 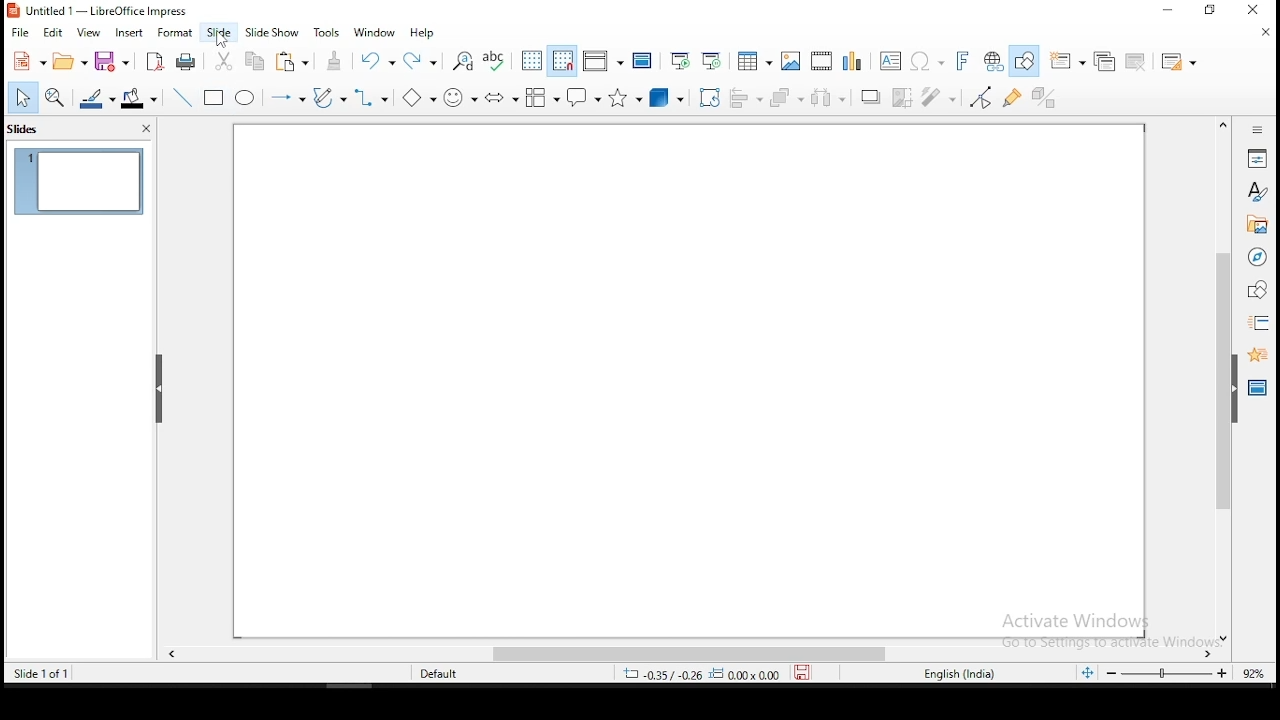 What do you see at coordinates (1013, 96) in the screenshot?
I see `show gluepoint functions` at bounding box center [1013, 96].